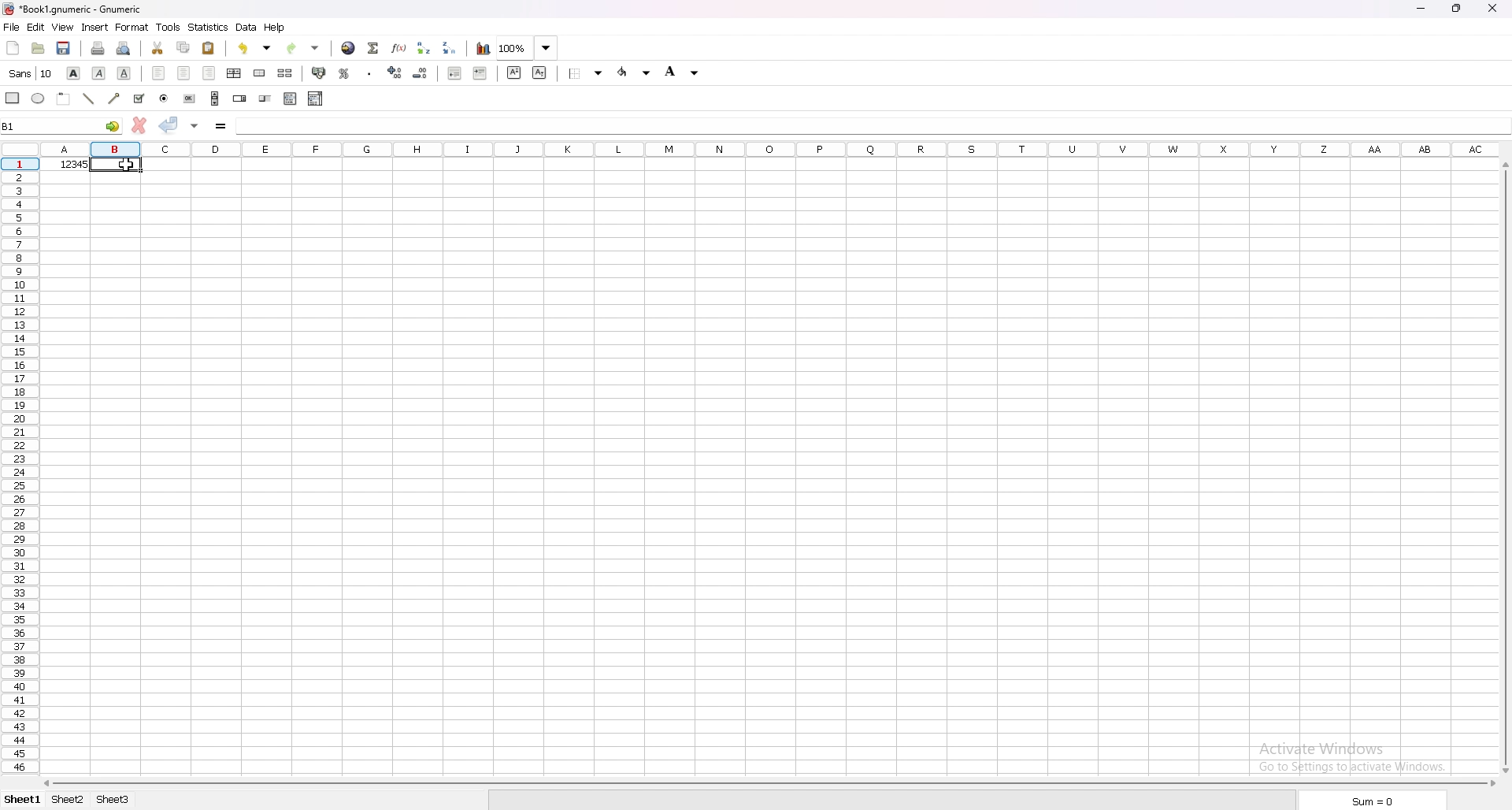 The height and width of the screenshot is (810, 1512). I want to click on file name, so click(72, 10).